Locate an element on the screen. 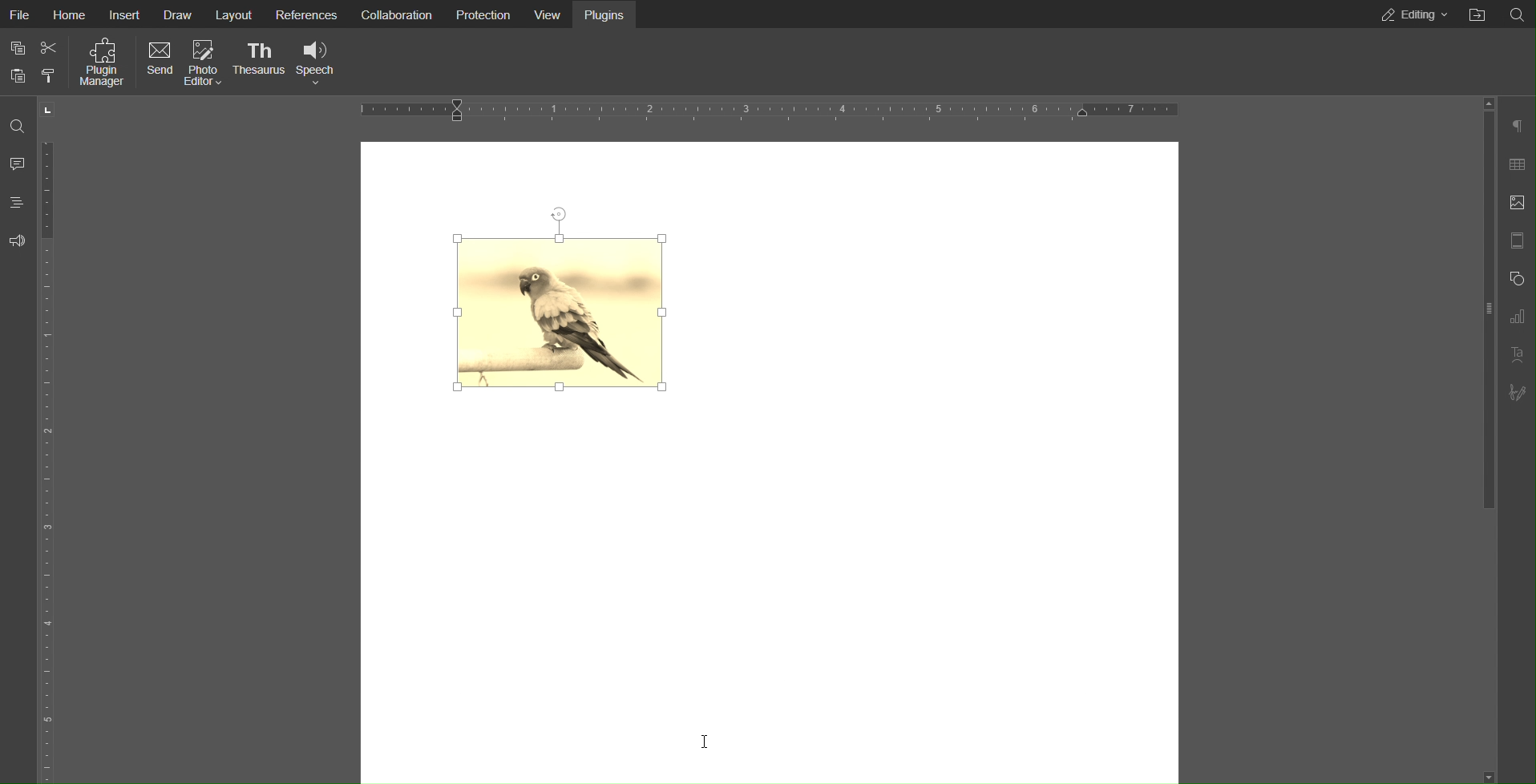 This screenshot has width=1536, height=784. Plugins is located at coordinates (606, 14).